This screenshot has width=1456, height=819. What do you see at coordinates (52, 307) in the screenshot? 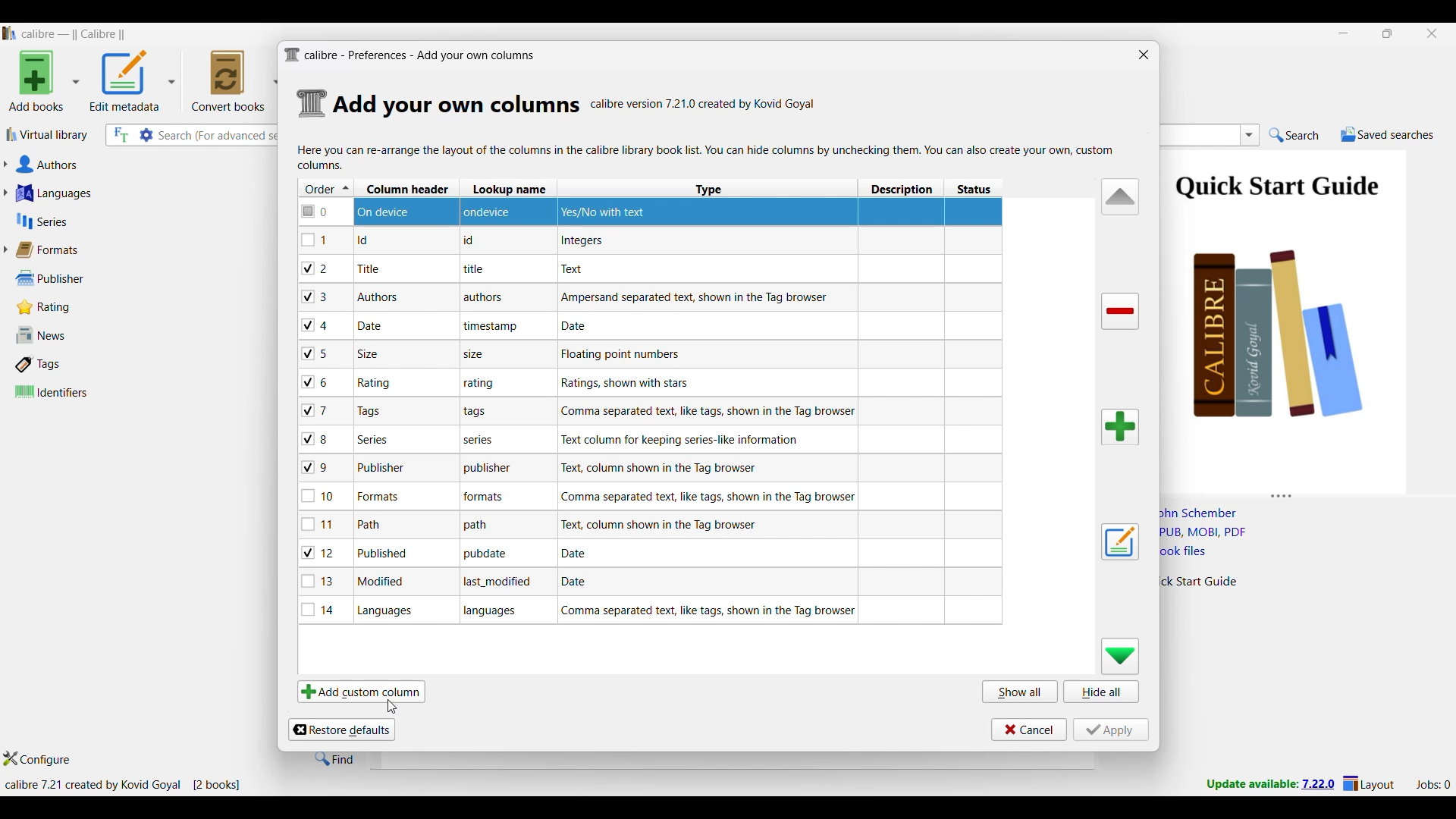
I see `Rating` at bounding box center [52, 307].